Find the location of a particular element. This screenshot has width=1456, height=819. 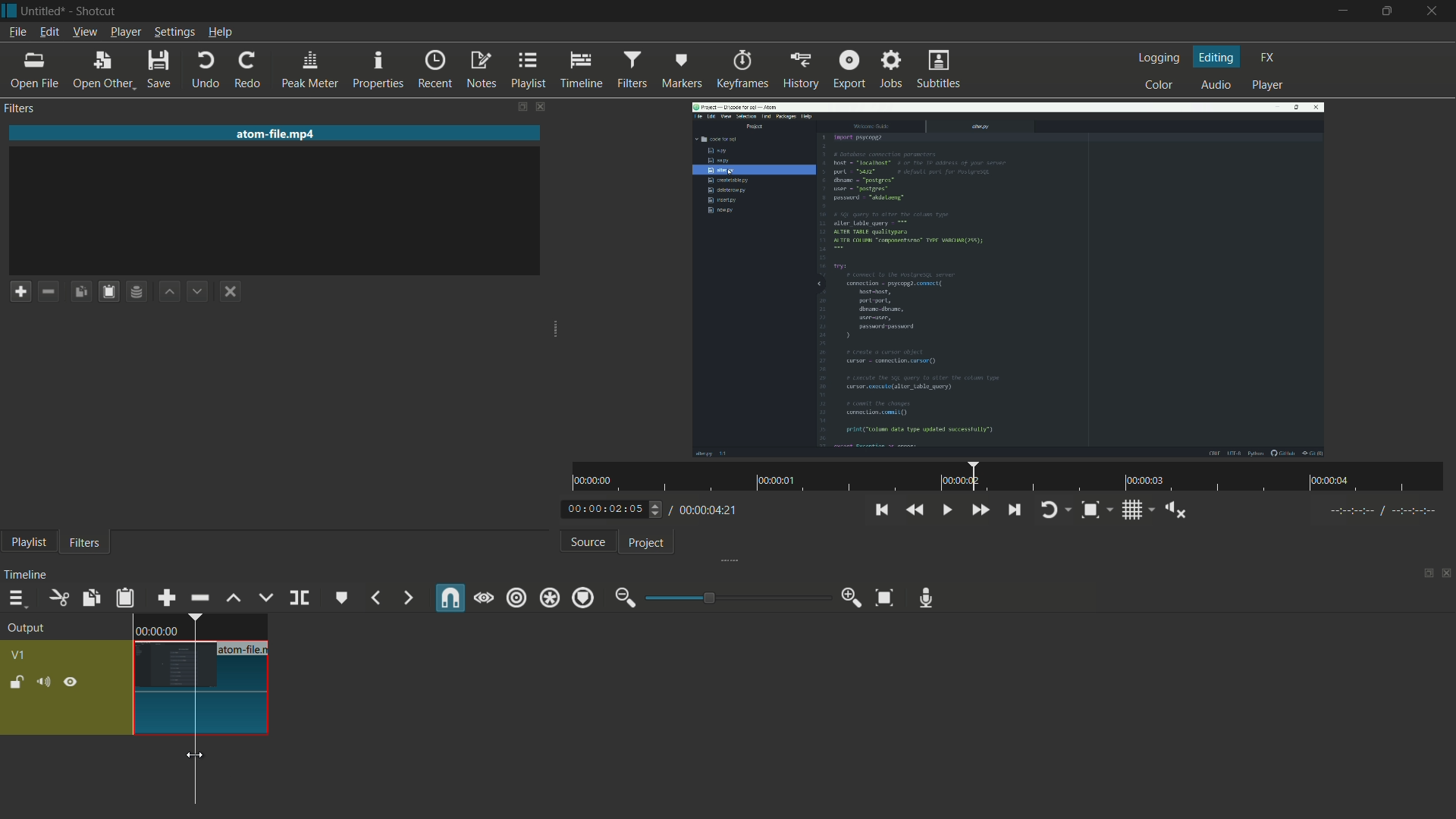

edit menu is located at coordinates (49, 33).